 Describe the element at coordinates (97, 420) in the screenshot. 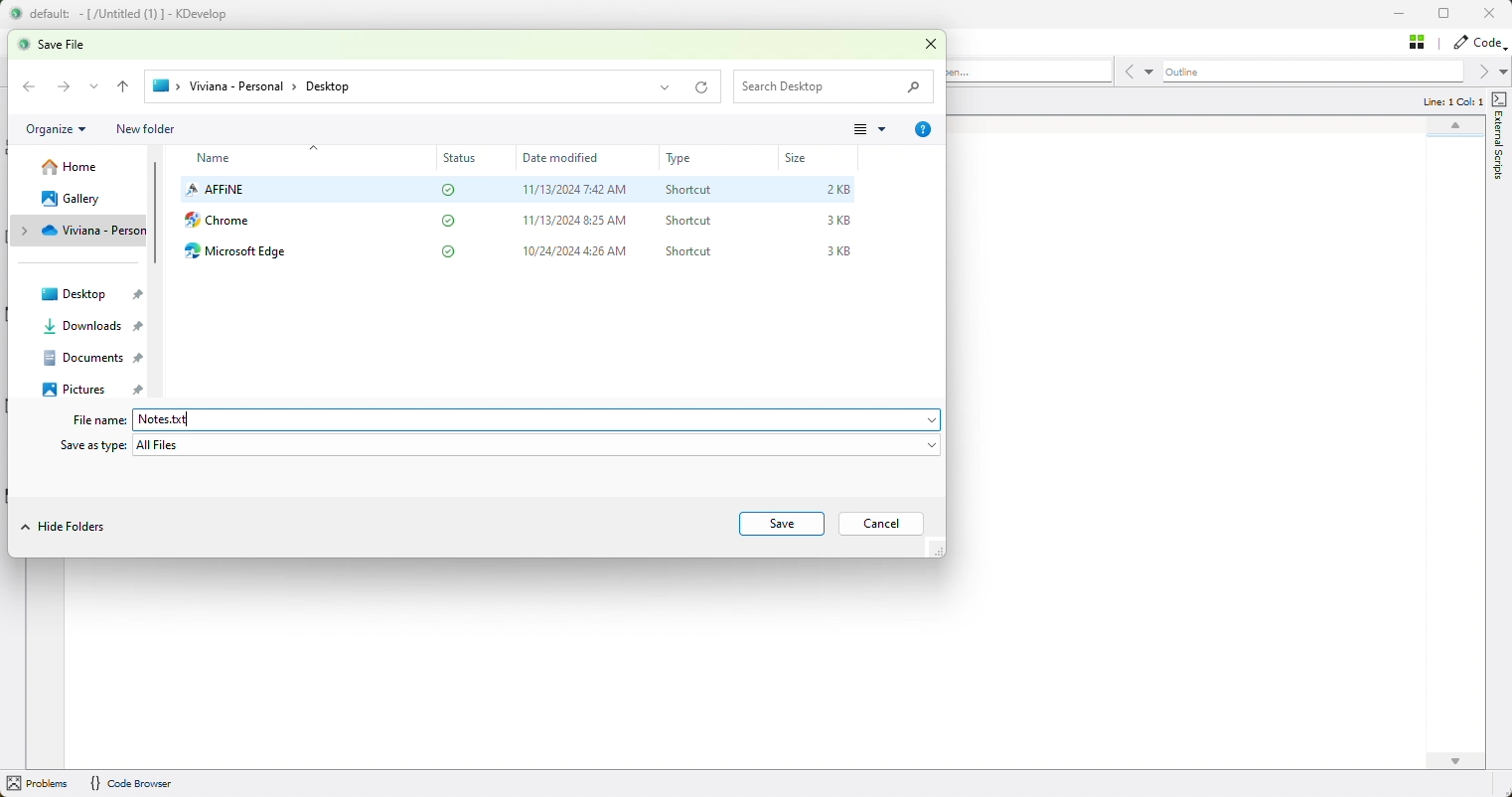

I see `File name:` at that location.